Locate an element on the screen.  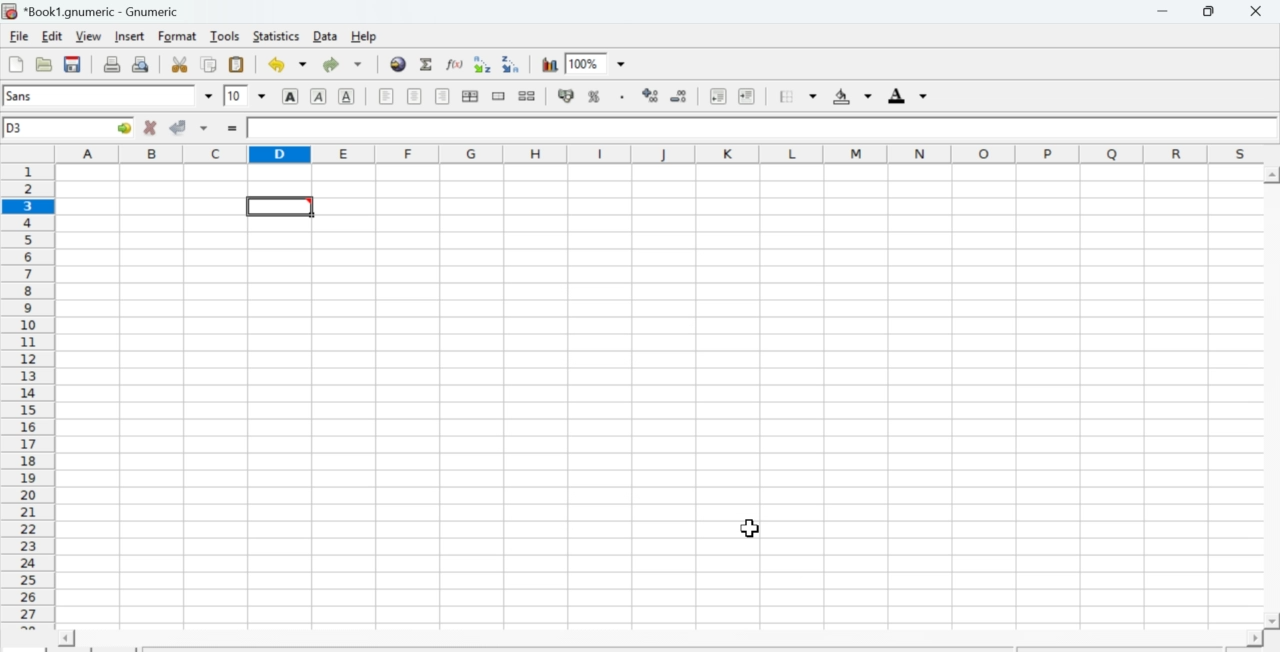
Merge cells is located at coordinates (500, 96).